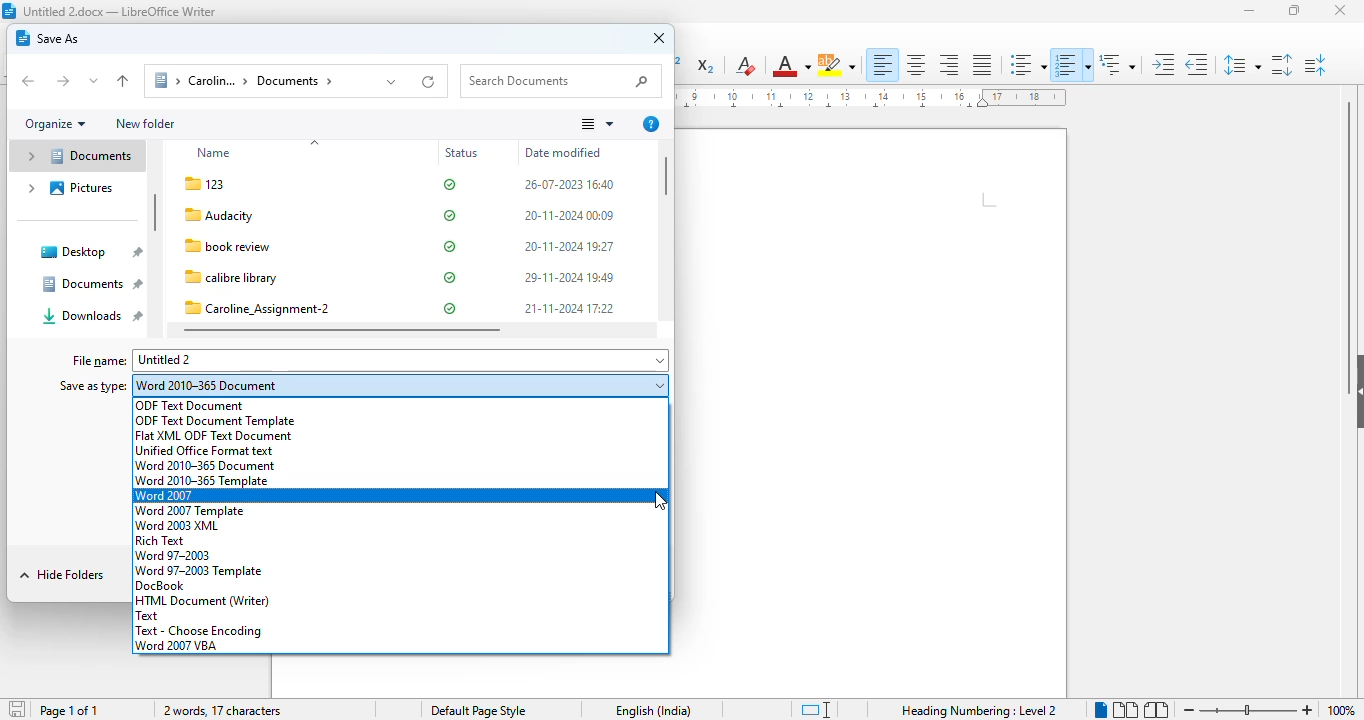 Image resolution: width=1364 pixels, height=720 pixels. What do you see at coordinates (177, 646) in the screenshot?
I see `word 2007 VBA` at bounding box center [177, 646].